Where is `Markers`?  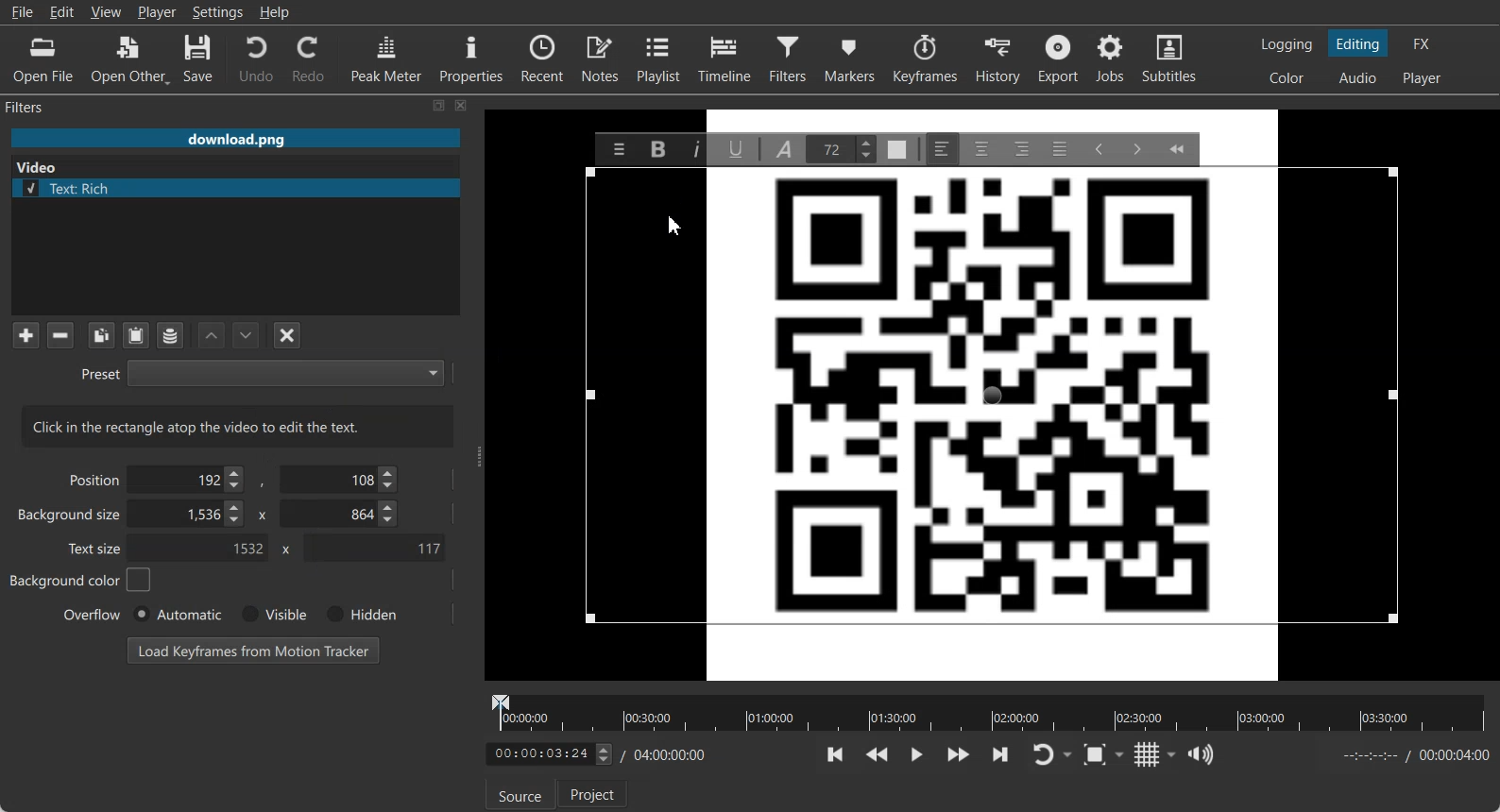
Markers is located at coordinates (851, 58).